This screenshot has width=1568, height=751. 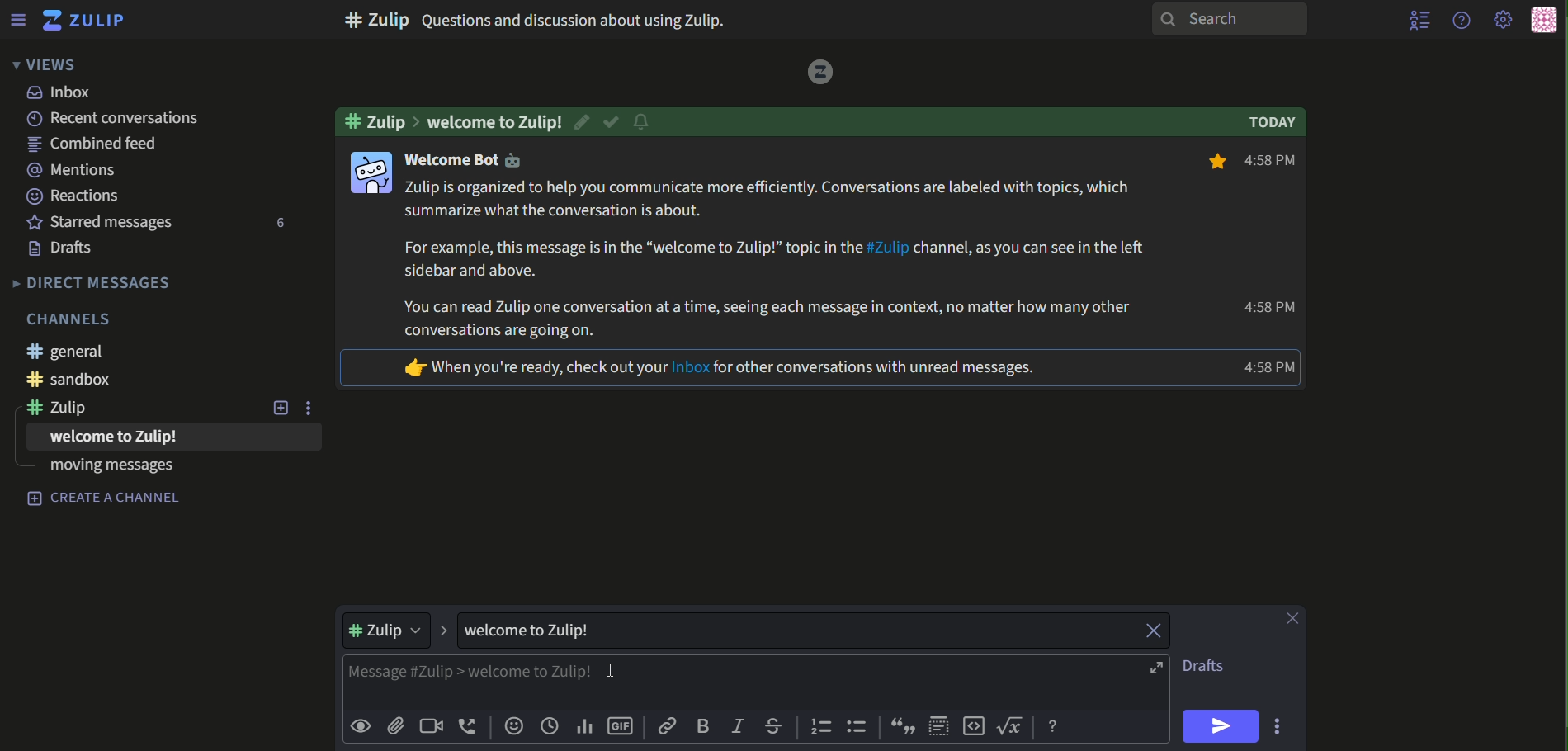 I want to click on text, so click(x=543, y=19).